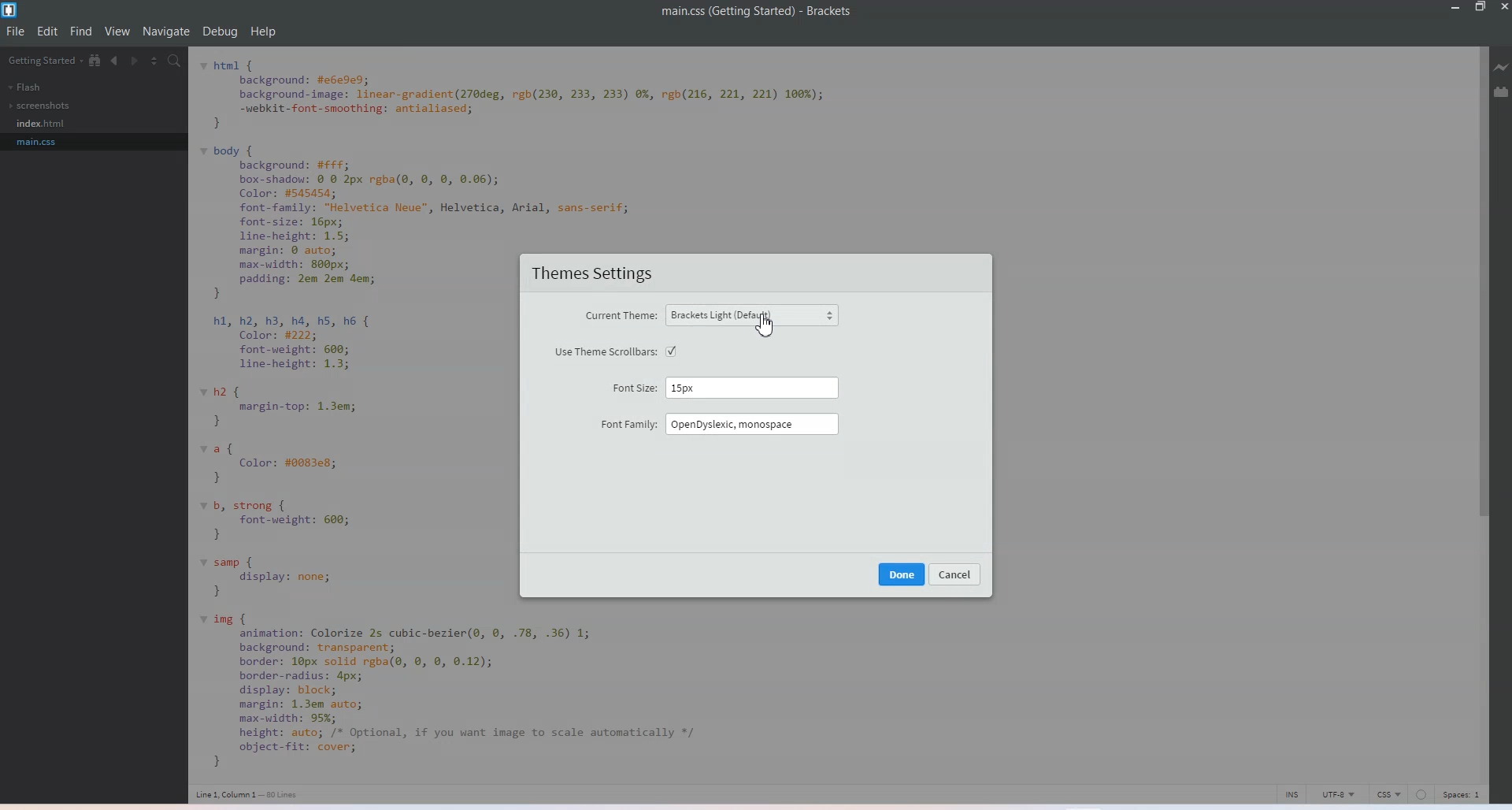  Describe the element at coordinates (593, 273) in the screenshot. I see `Theme settings` at that location.